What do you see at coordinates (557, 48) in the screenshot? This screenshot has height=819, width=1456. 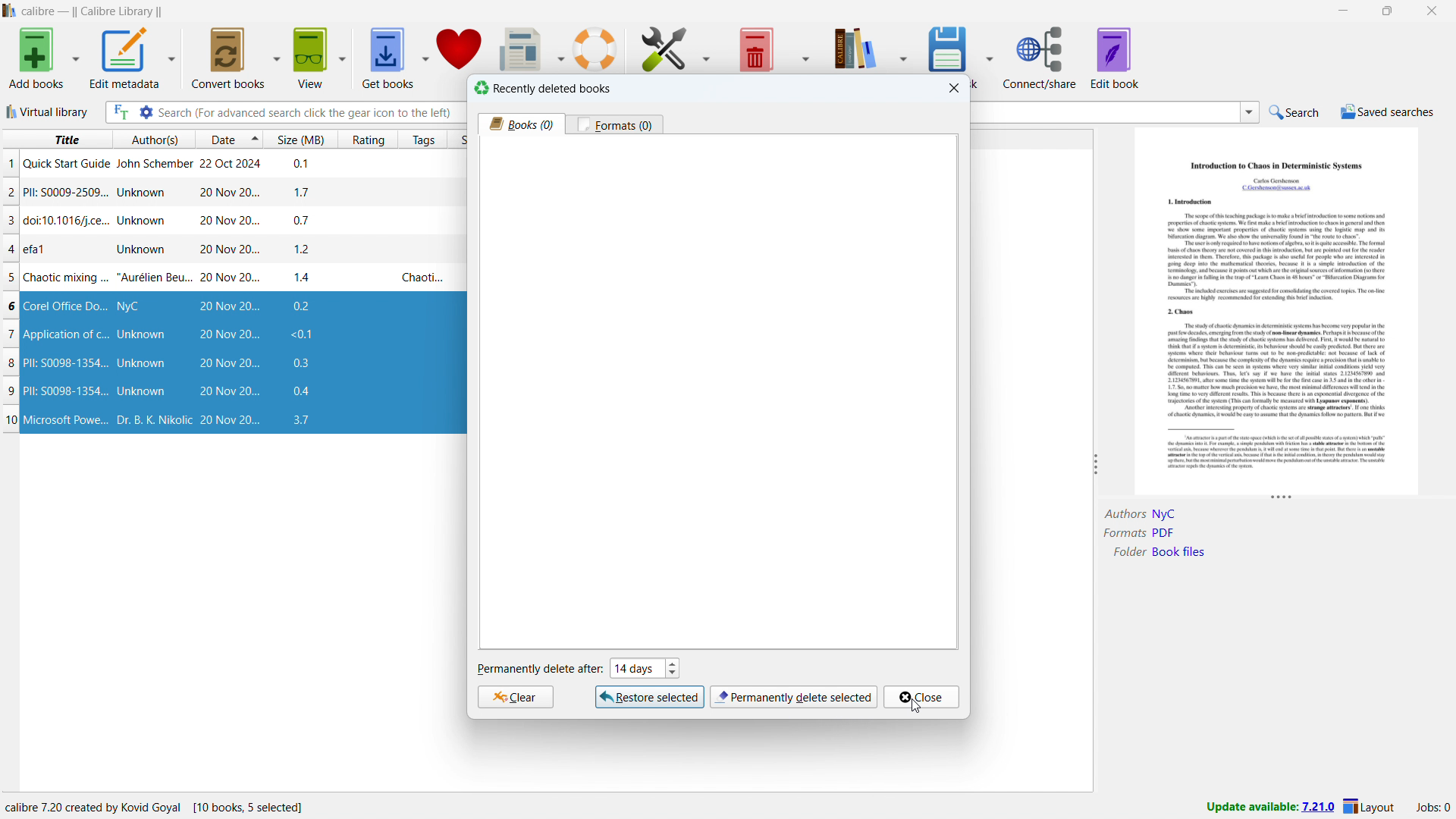 I see `fetch news options` at bounding box center [557, 48].